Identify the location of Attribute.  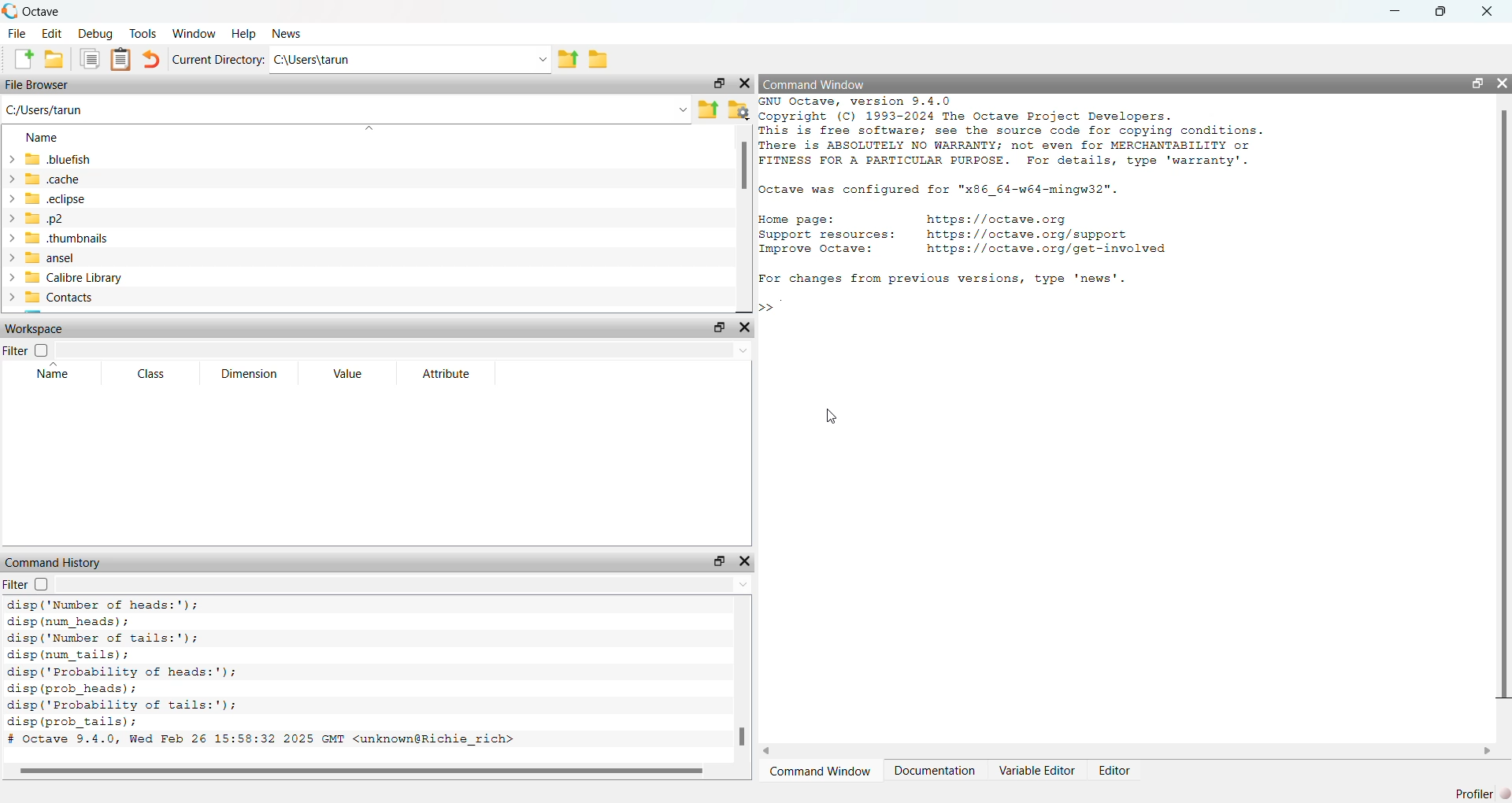
(444, 375).